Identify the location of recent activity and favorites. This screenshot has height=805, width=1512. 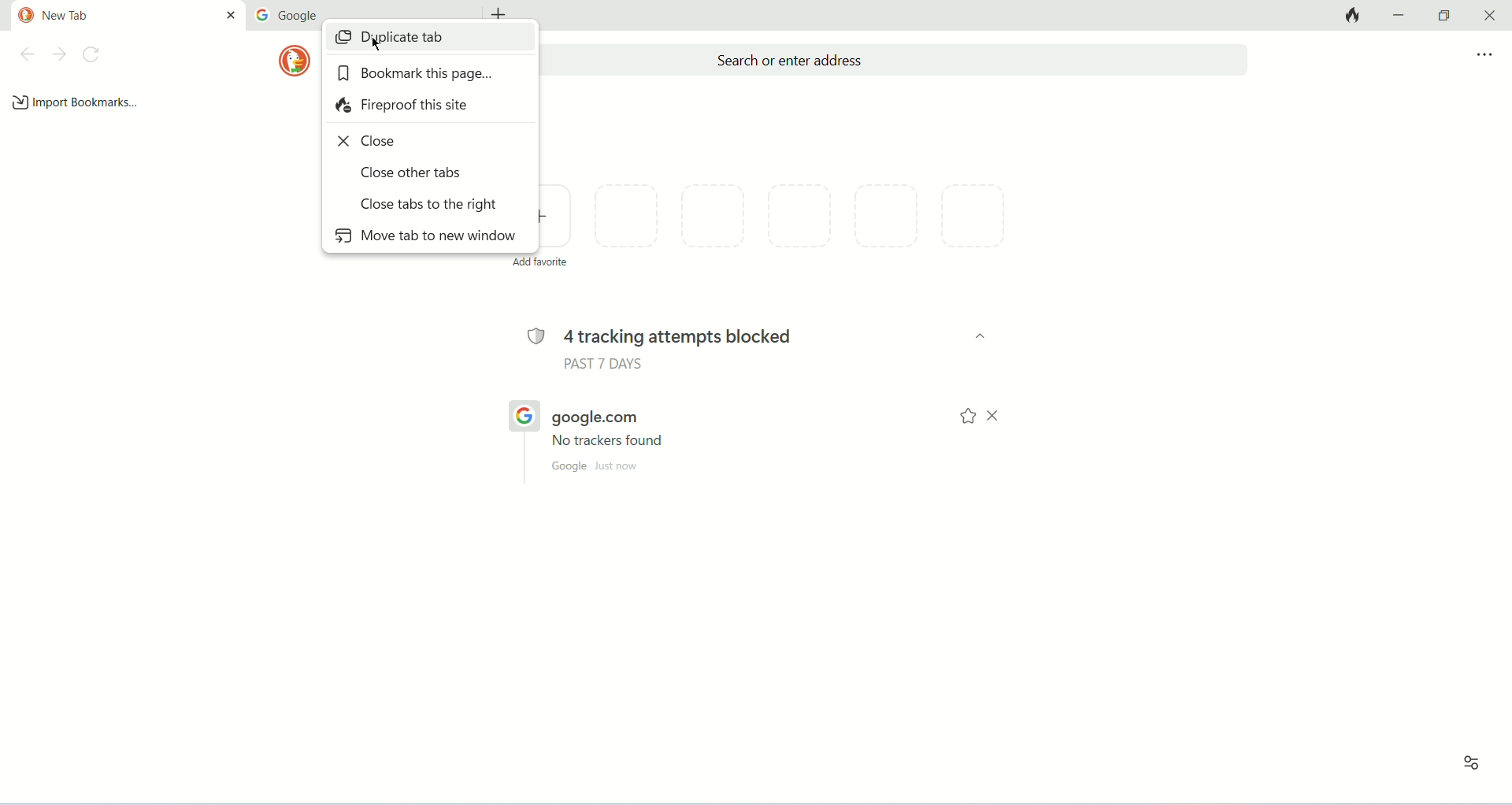
(1467, 764).